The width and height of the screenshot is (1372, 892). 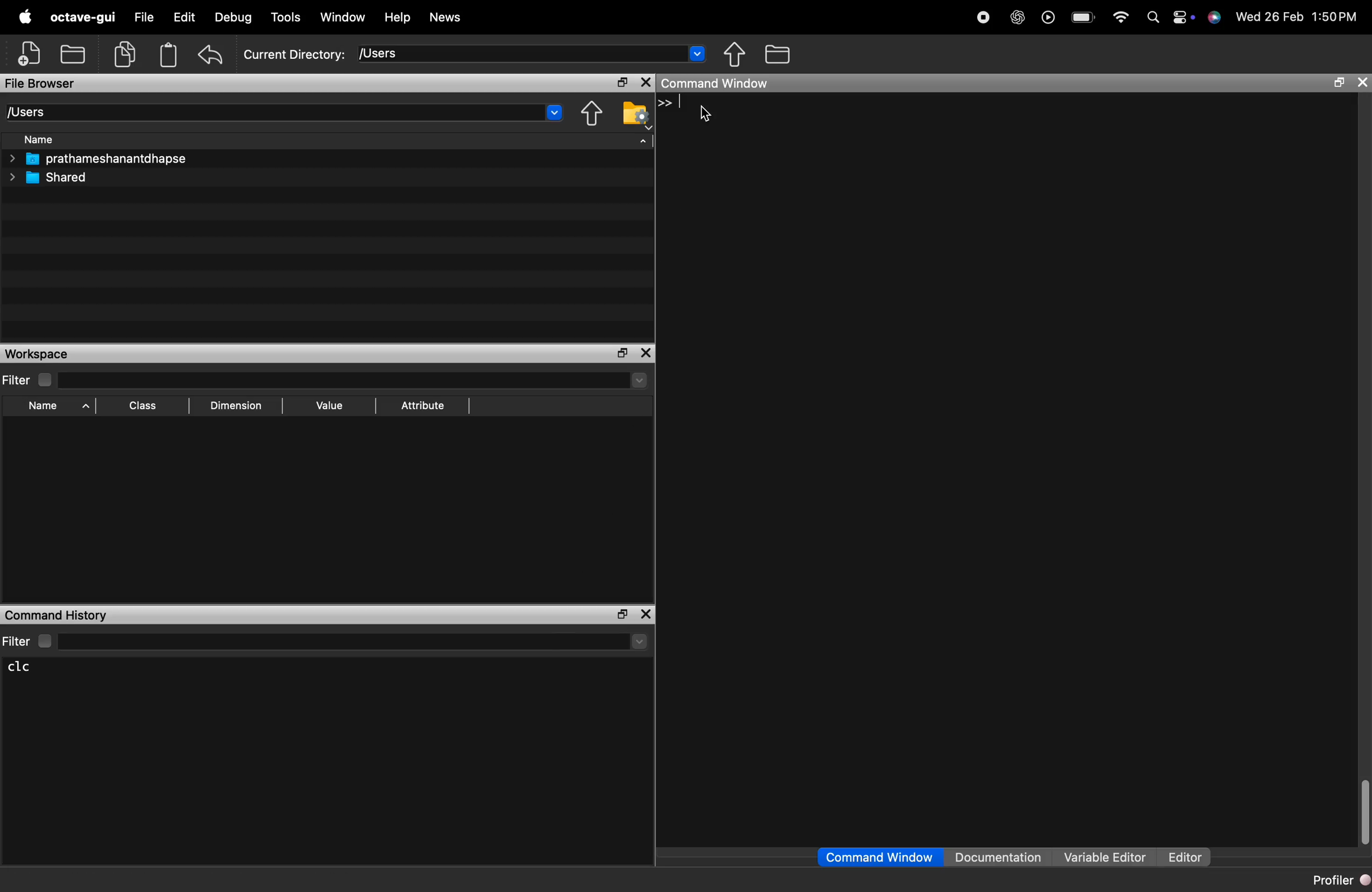 What do you see at coordinates (29, 667) in the screenshot?
I see `clc` at bounding box center [29, 667].